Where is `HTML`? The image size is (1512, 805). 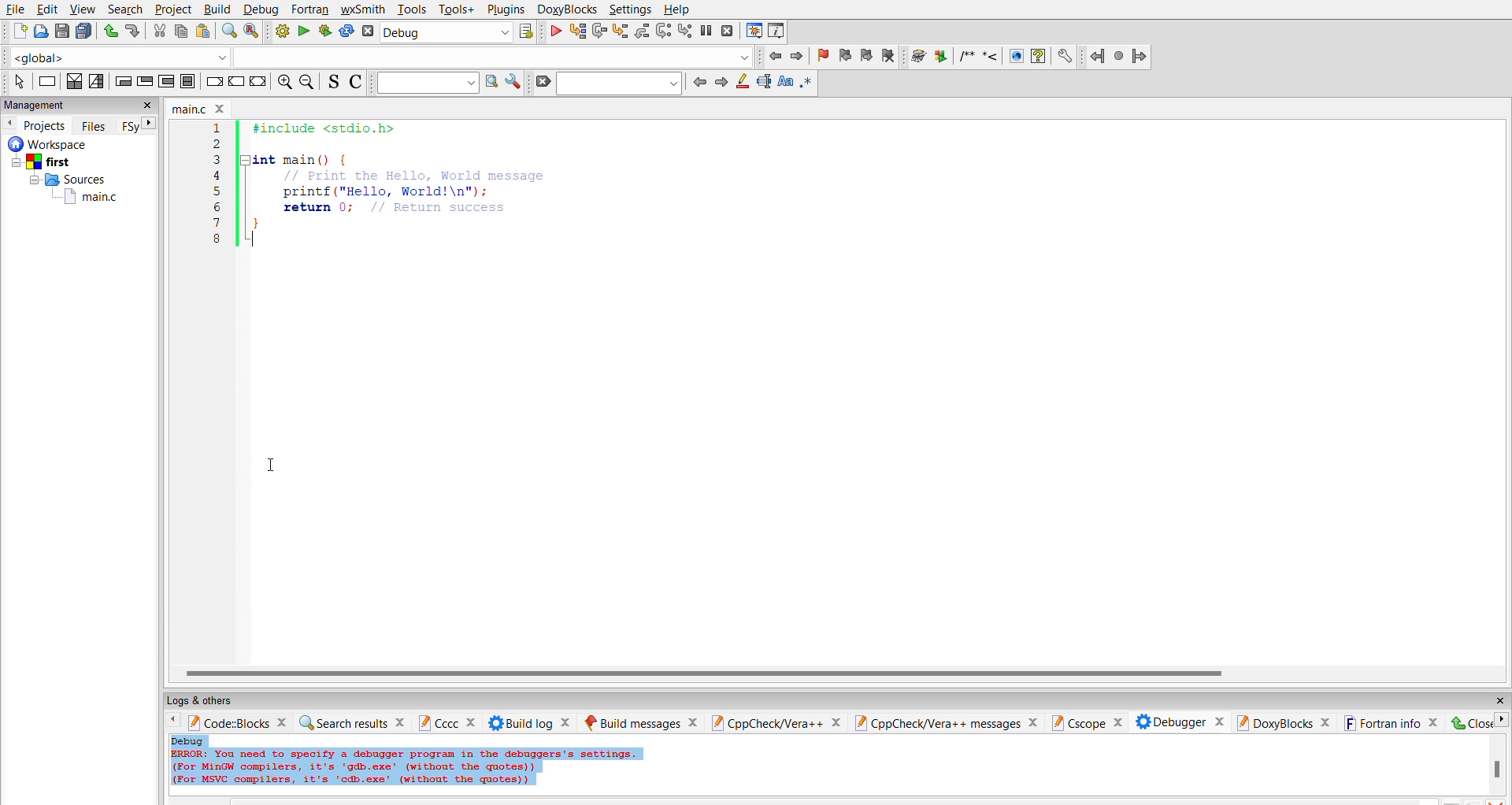 HTML is located at coordinates (1017, 55).